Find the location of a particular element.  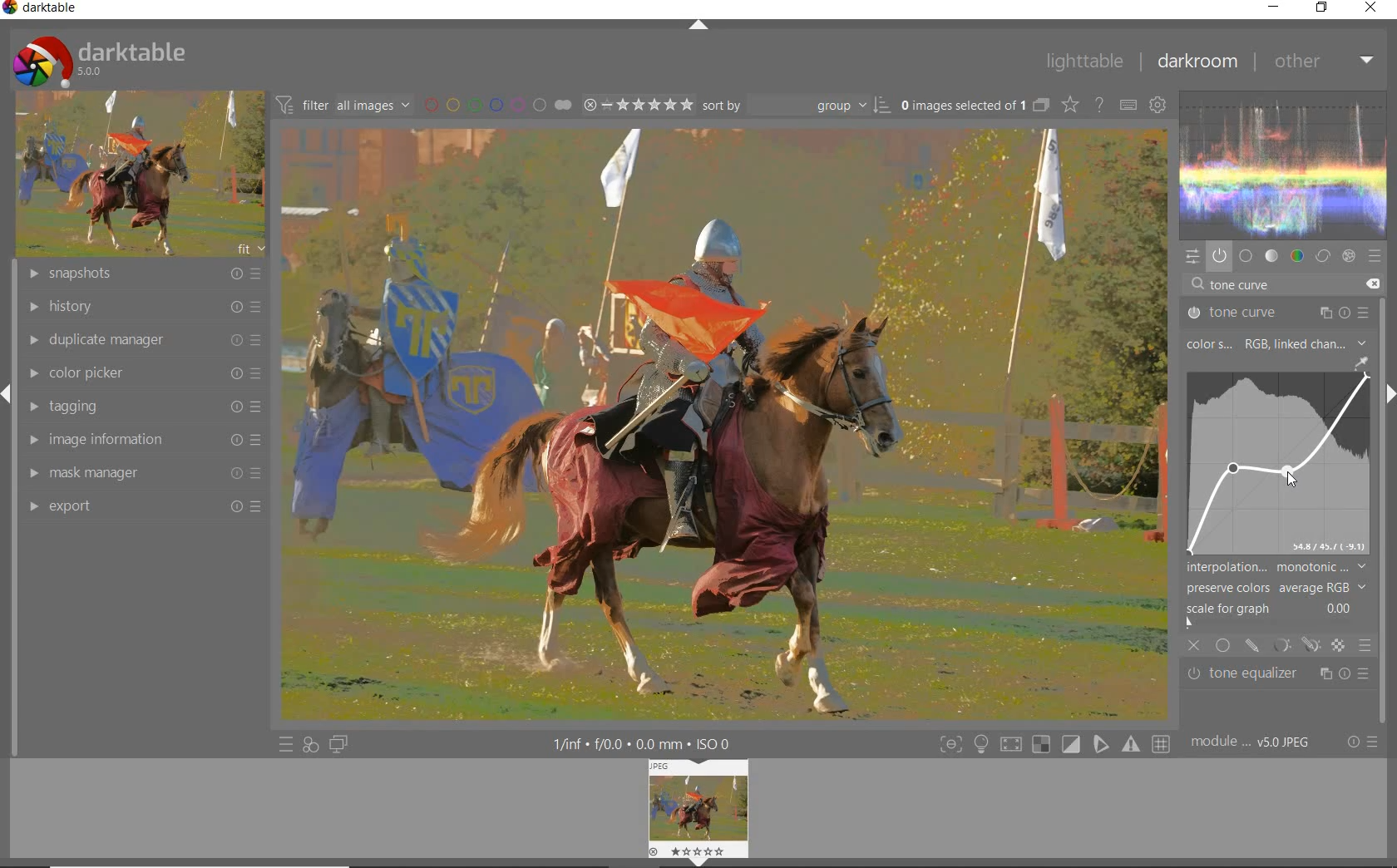

history is located at coordinates (142, 308).